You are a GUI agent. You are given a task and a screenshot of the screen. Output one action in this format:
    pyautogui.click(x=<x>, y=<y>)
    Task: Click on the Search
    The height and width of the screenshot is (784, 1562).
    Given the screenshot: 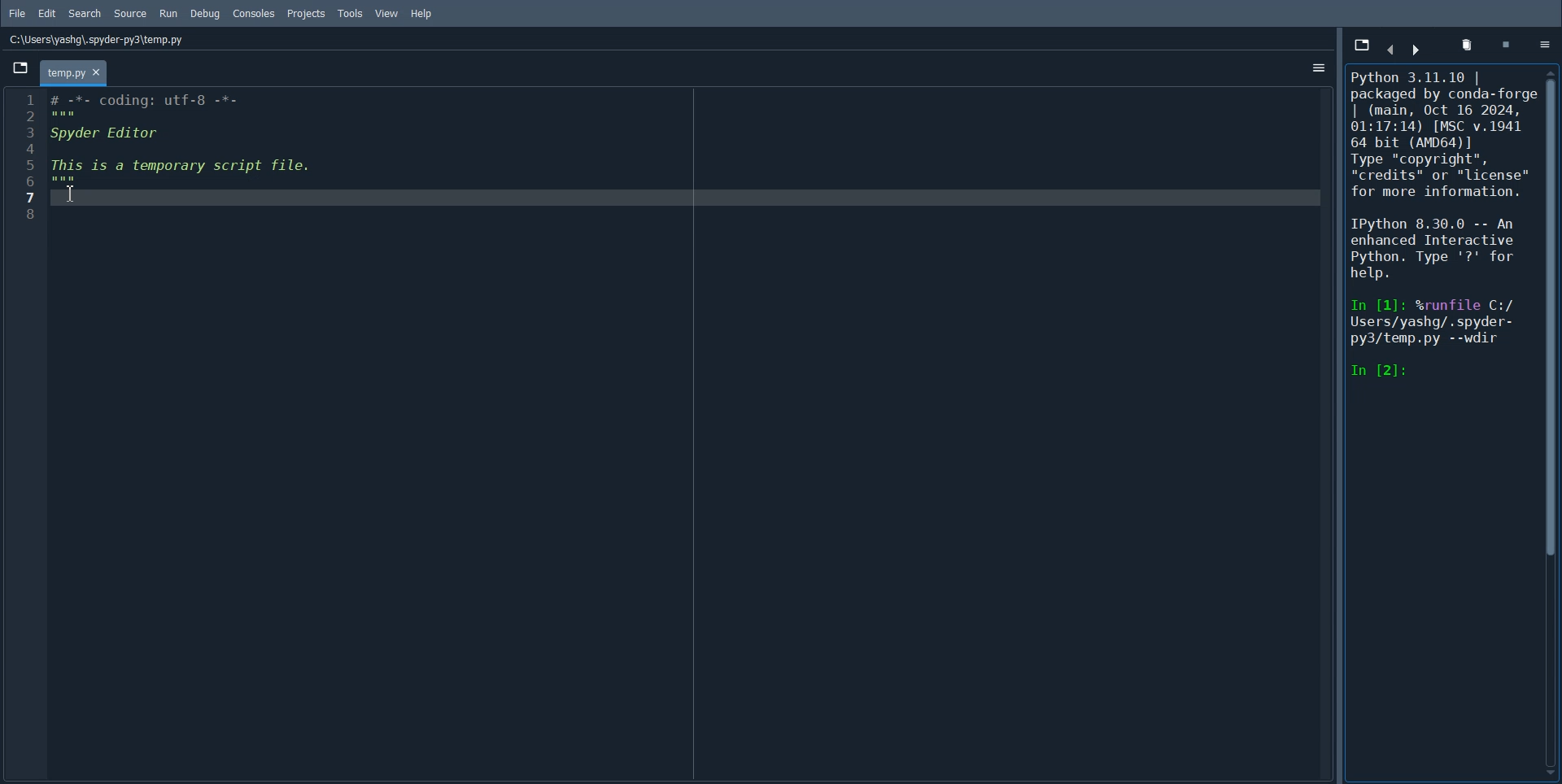 What is the action you would take?
    pyautogui.click(x=86, y=14)
    